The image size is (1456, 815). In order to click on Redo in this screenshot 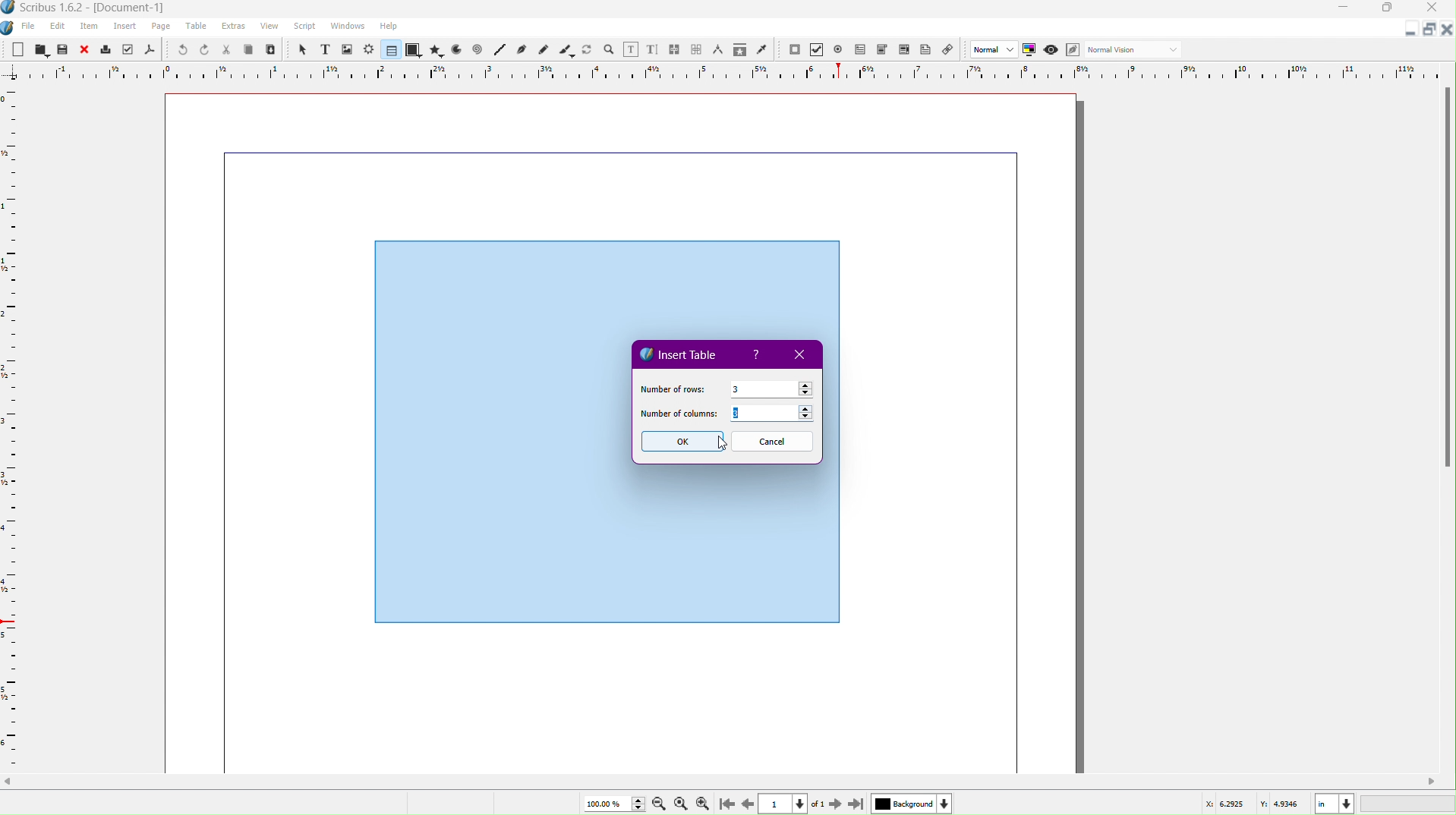, I will do `click(205, 50)`.